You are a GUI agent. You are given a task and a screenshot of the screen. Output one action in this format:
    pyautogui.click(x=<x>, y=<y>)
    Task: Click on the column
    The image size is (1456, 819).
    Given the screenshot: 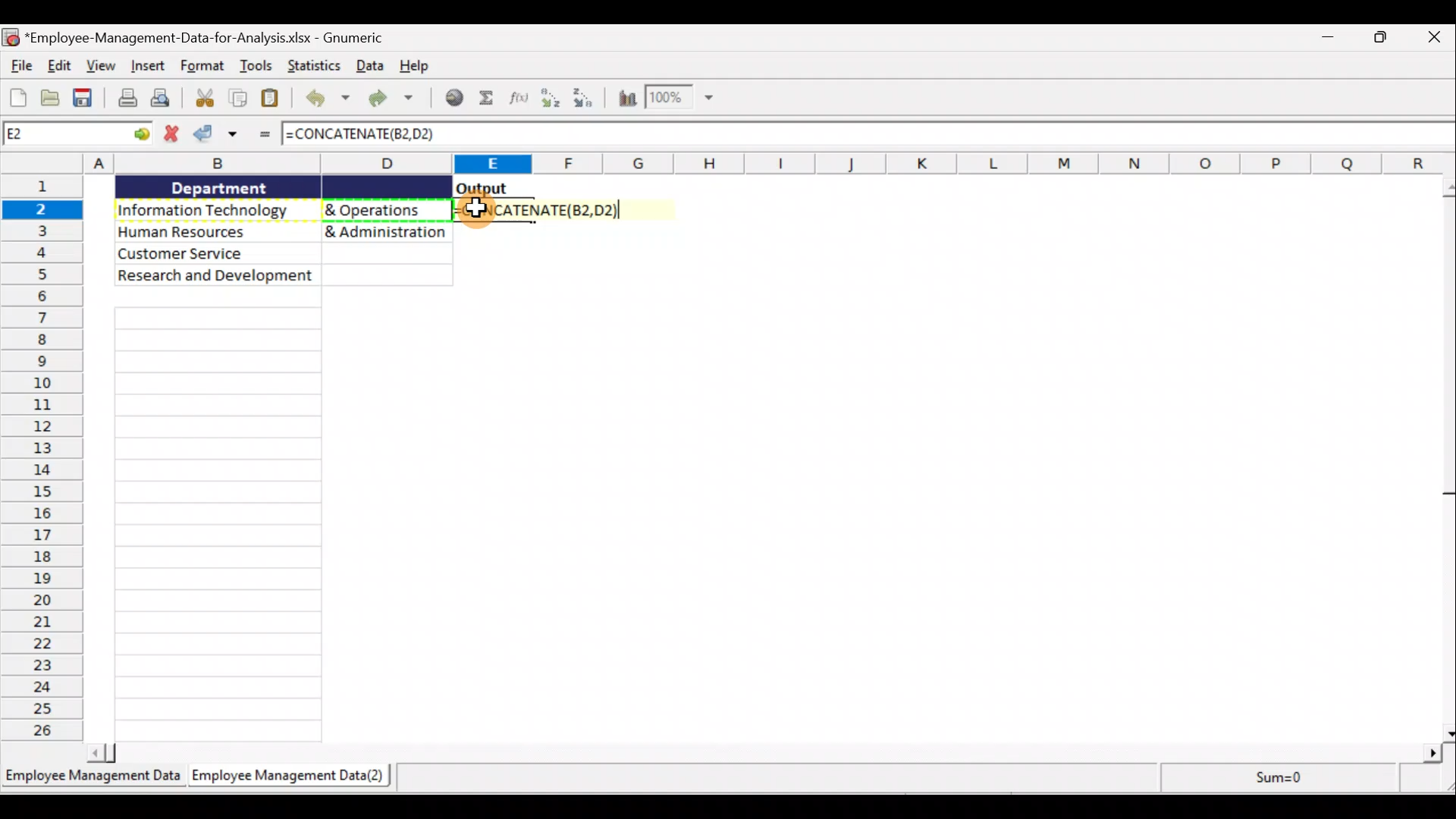 What is the action you would take?
    pyautogui.click(x=221, y=523)
    